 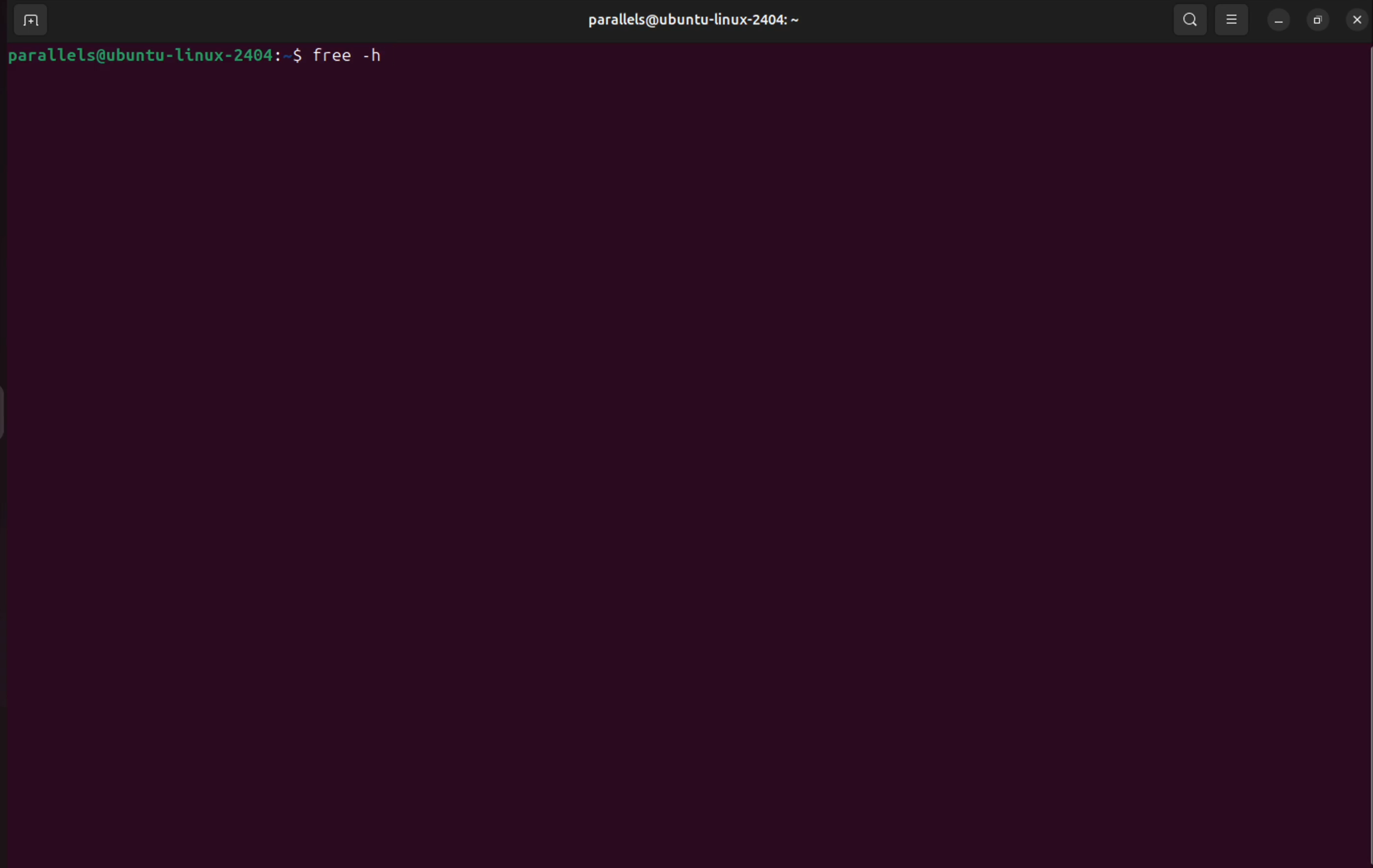 What do you see at coordinates (1191, 20) in the screenshot?
I see `search` at bounding box center [1191, 20].